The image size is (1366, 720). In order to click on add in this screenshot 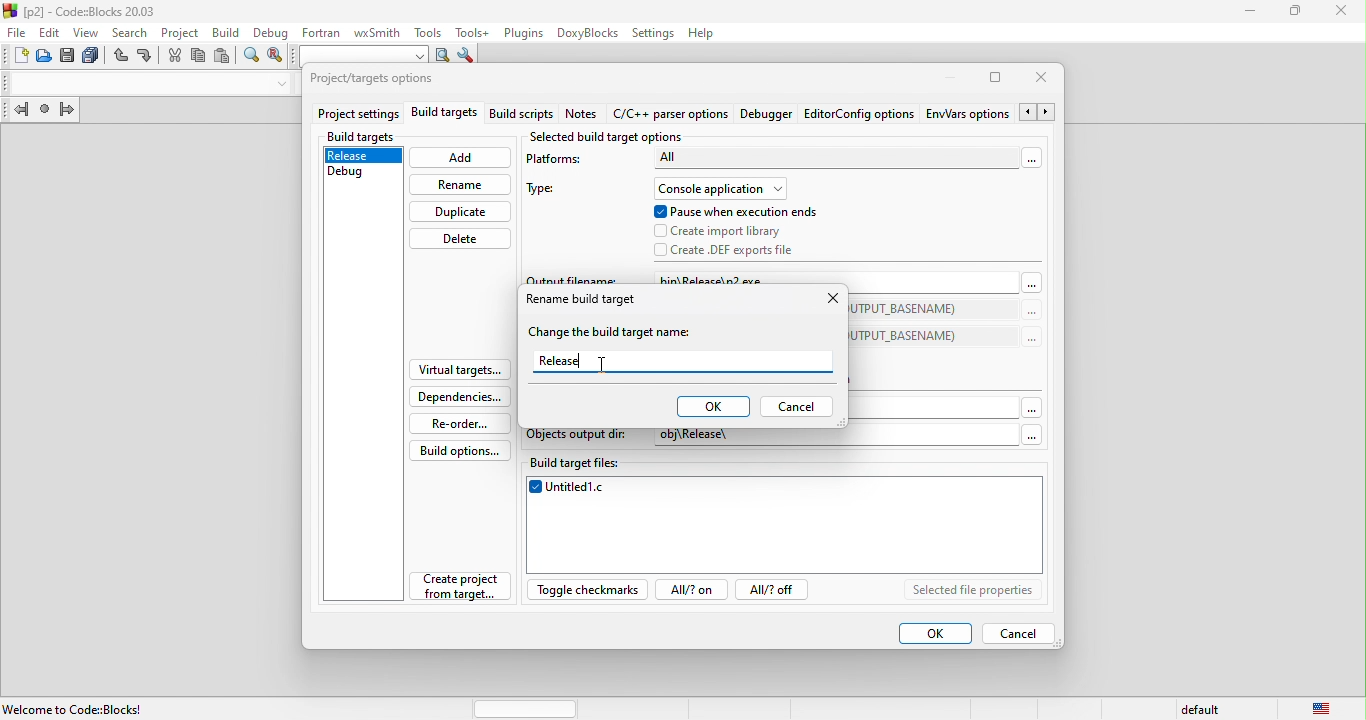, I will do `click(461, 158)`.